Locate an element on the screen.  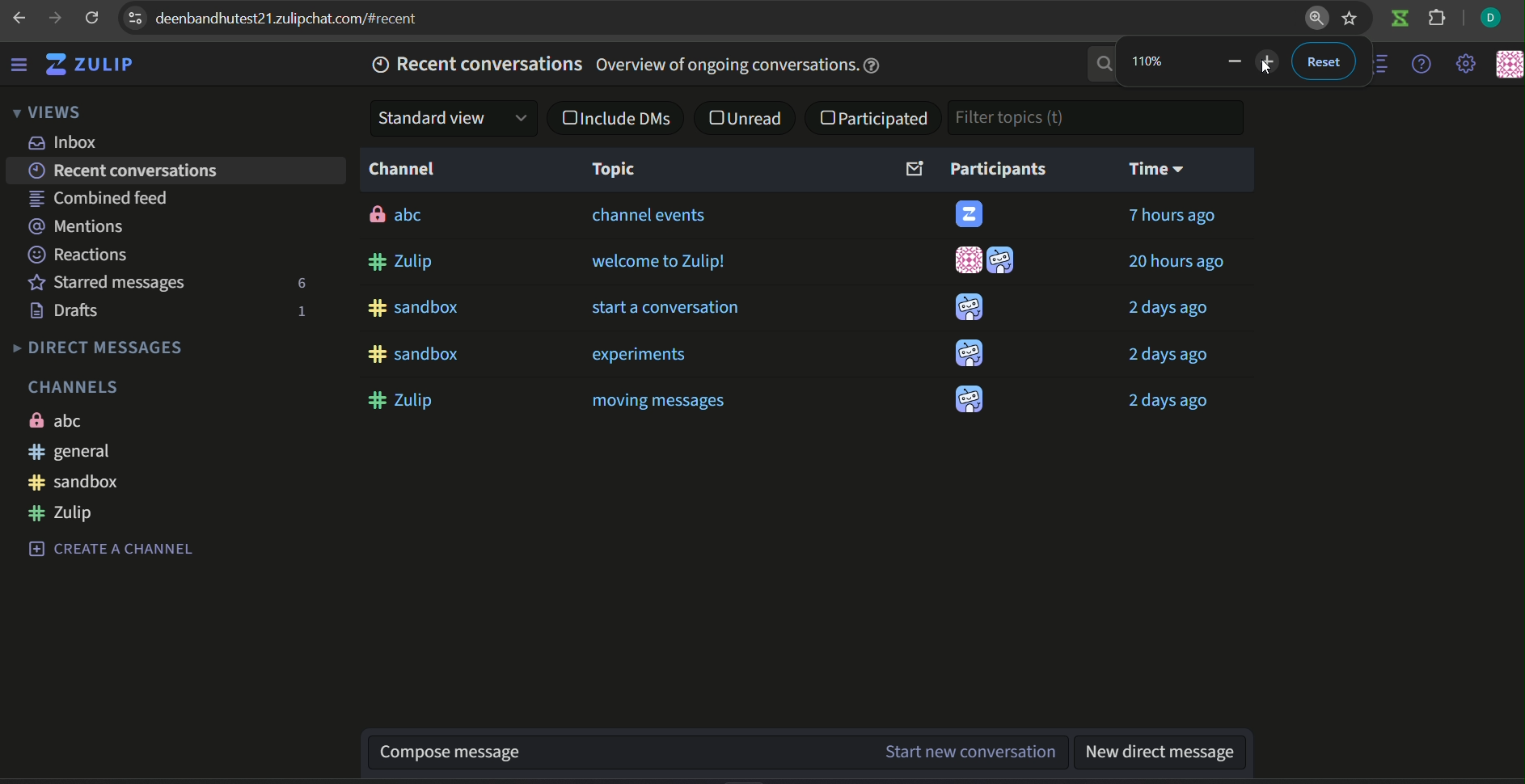
textbox is located at coordinates (1023, 117).